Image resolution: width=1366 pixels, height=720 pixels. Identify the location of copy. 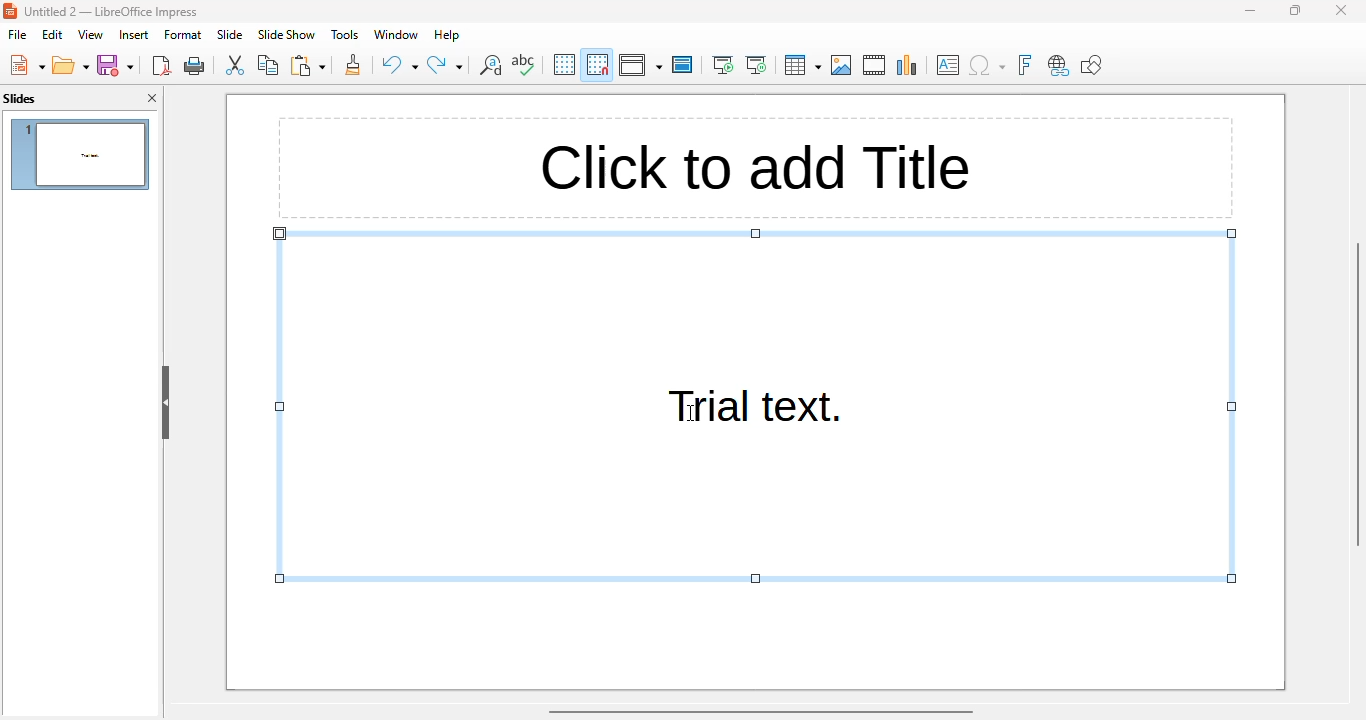
(268, 65).